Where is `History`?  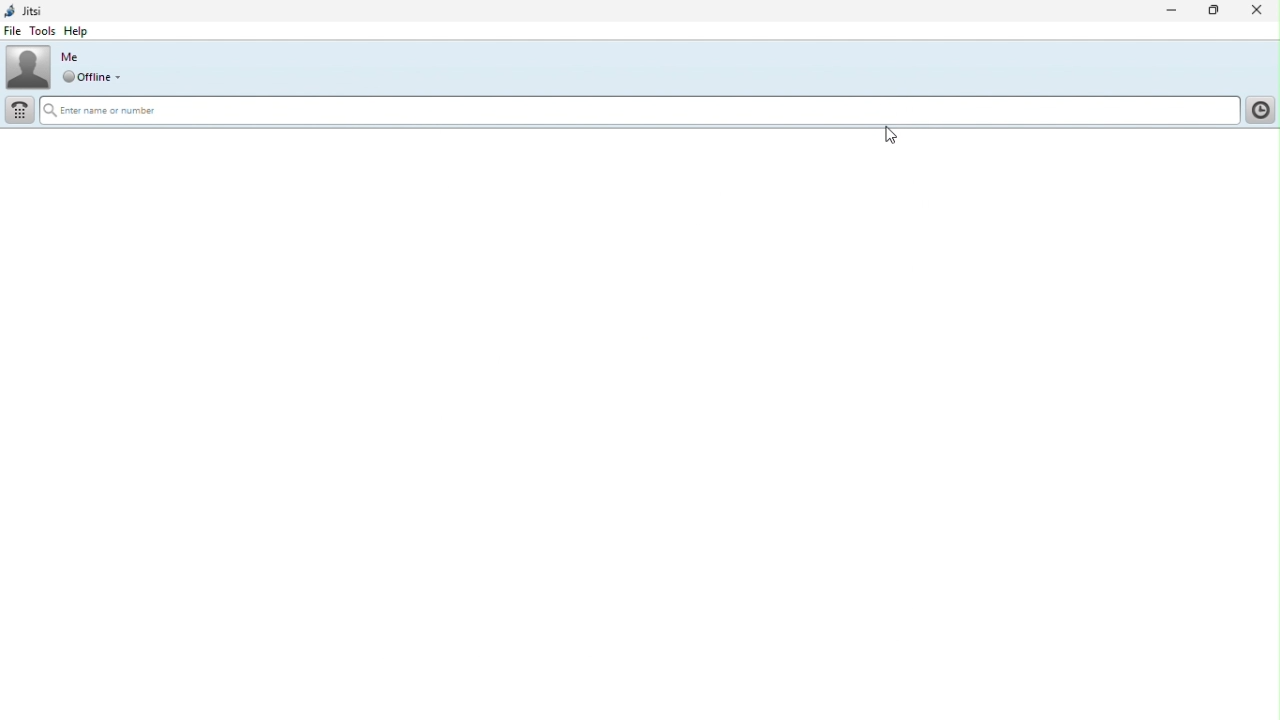
History is located at coordinates (1259, 110).